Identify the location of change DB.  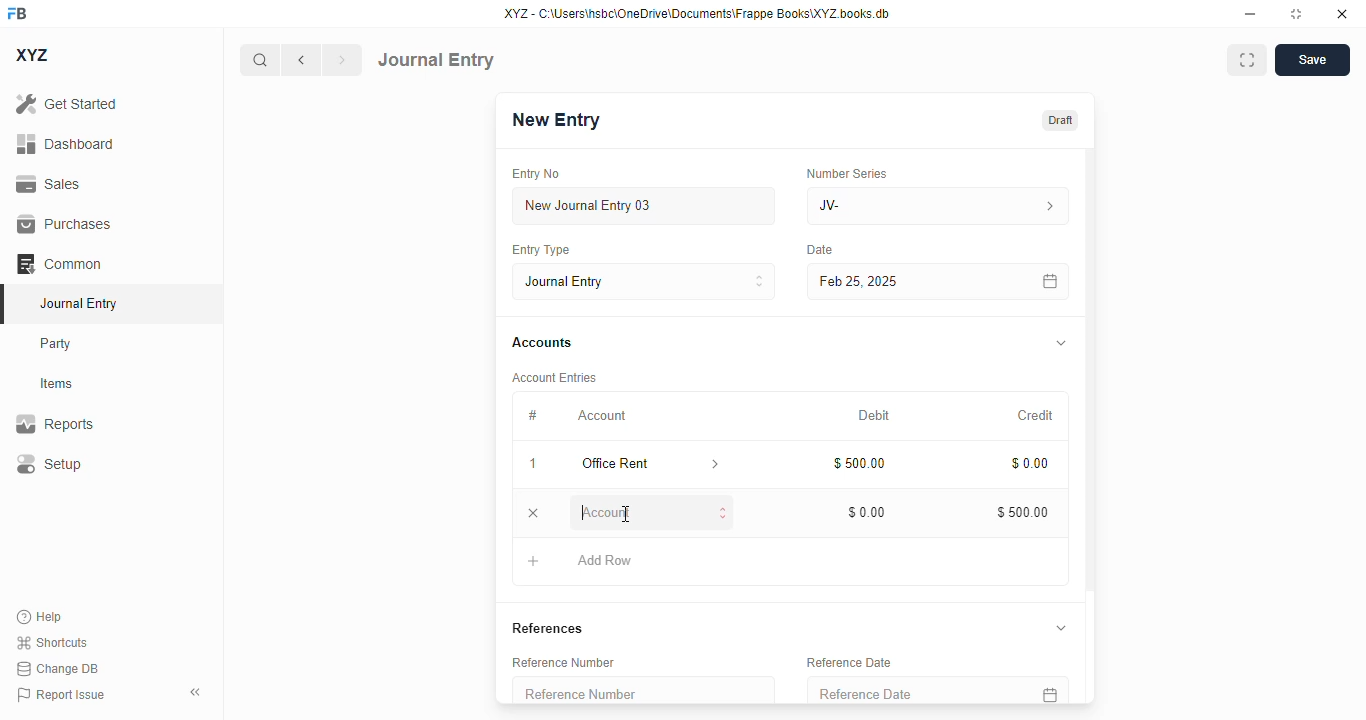
(58, 668).